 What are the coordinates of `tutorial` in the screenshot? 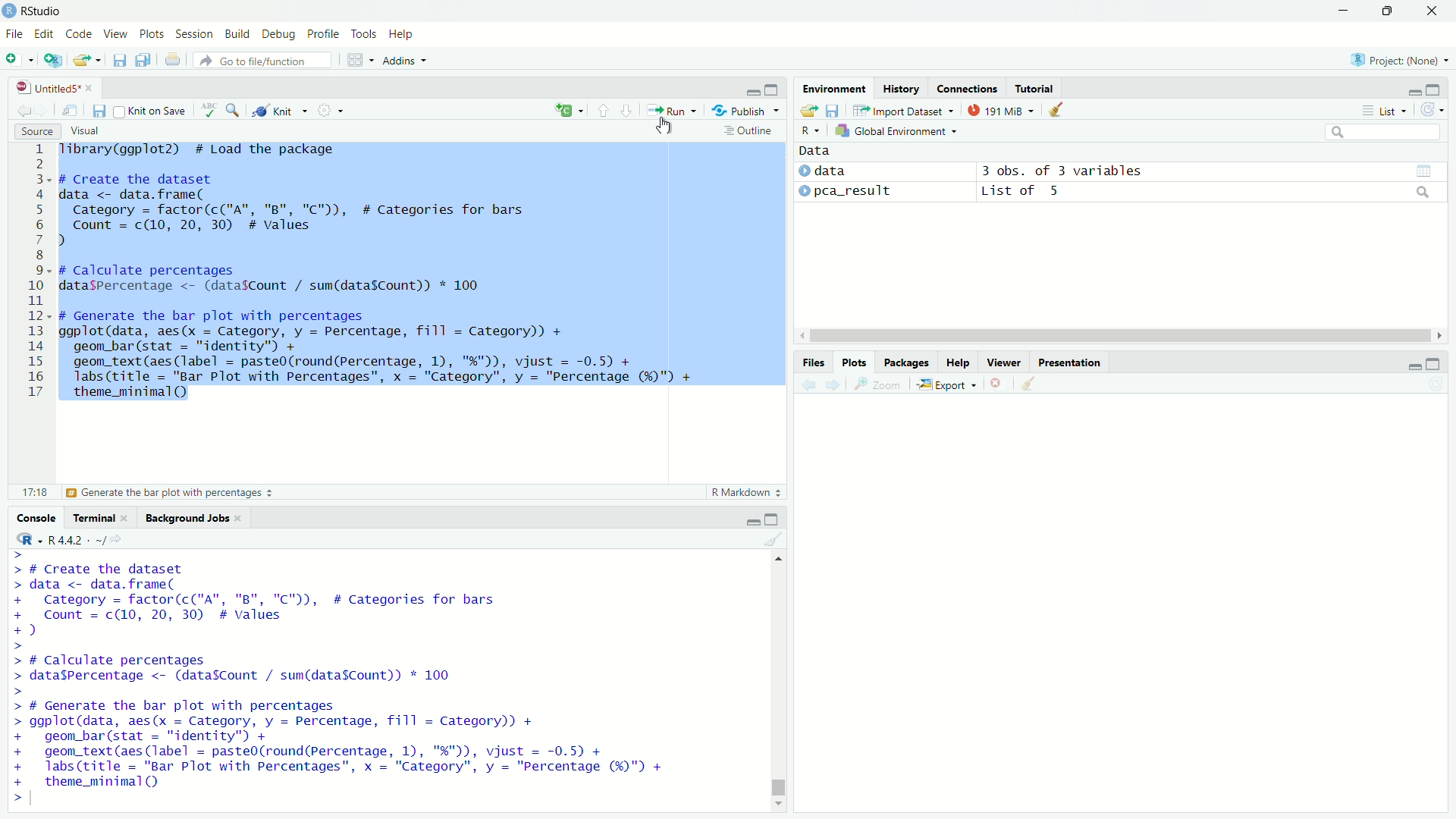 It's located at (1036, 88).